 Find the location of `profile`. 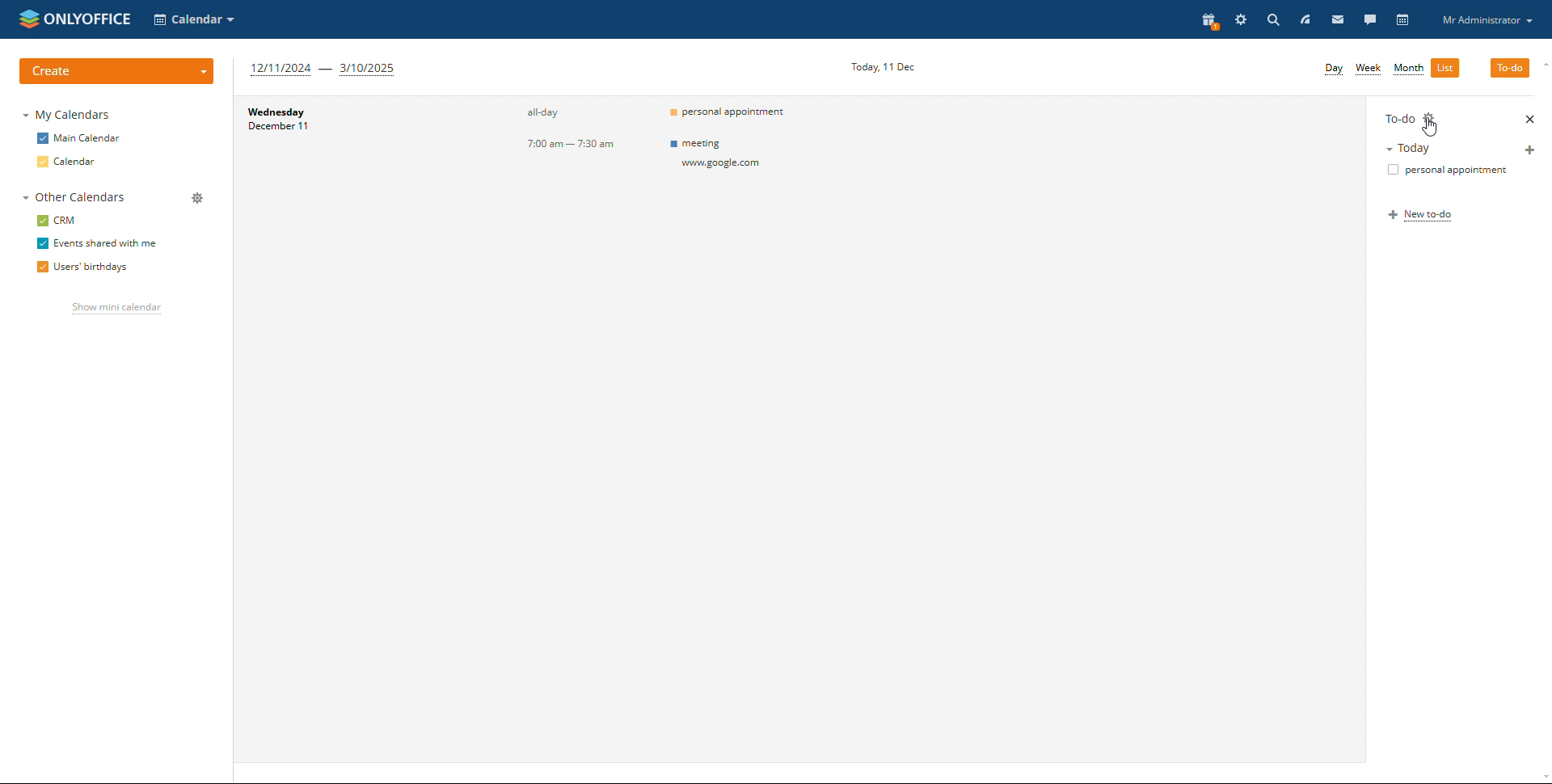

profile is located at coordinates (1487, 19).